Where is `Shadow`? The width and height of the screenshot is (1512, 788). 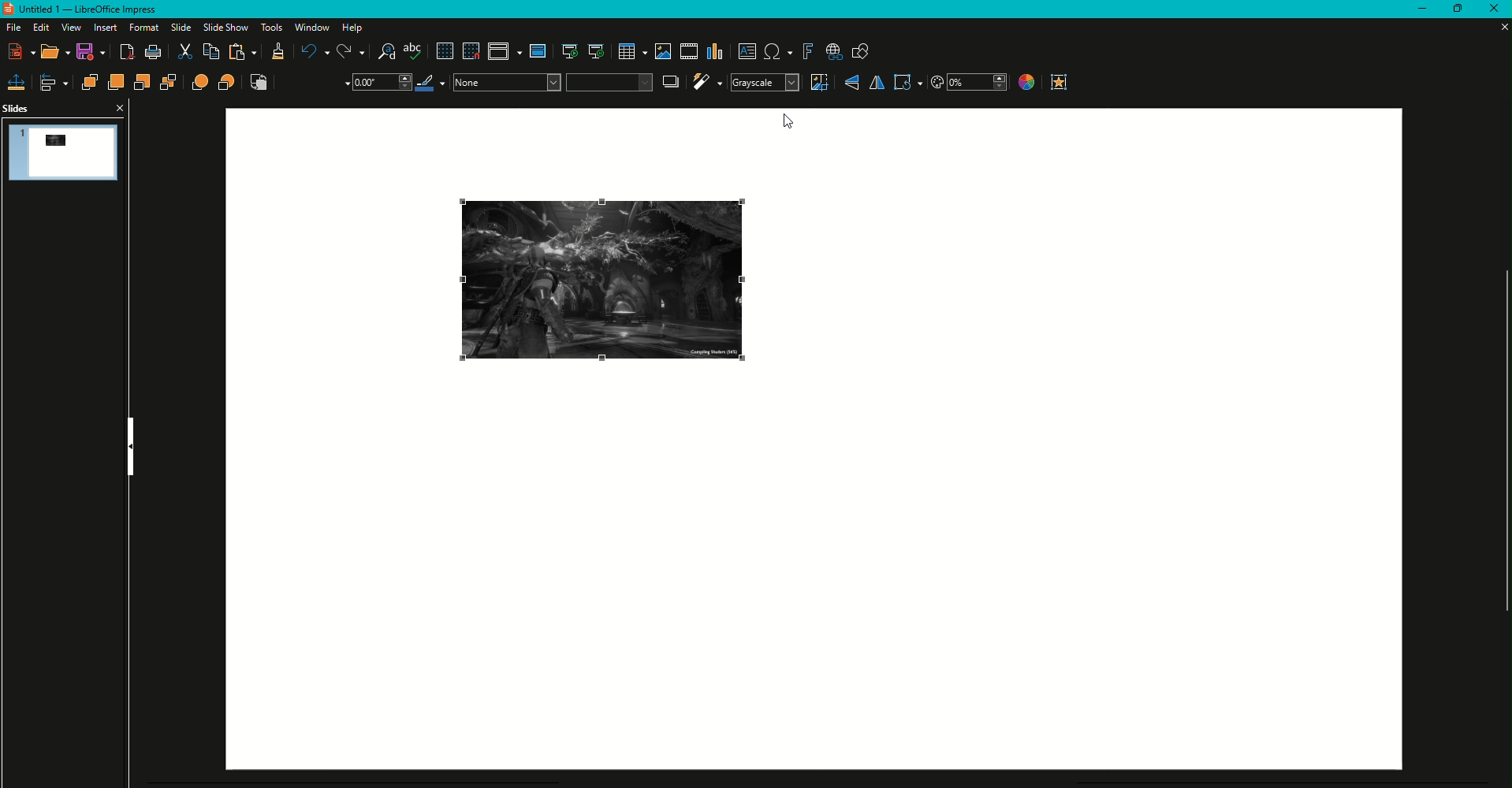 Shadow is located at coordinates (672, 81).